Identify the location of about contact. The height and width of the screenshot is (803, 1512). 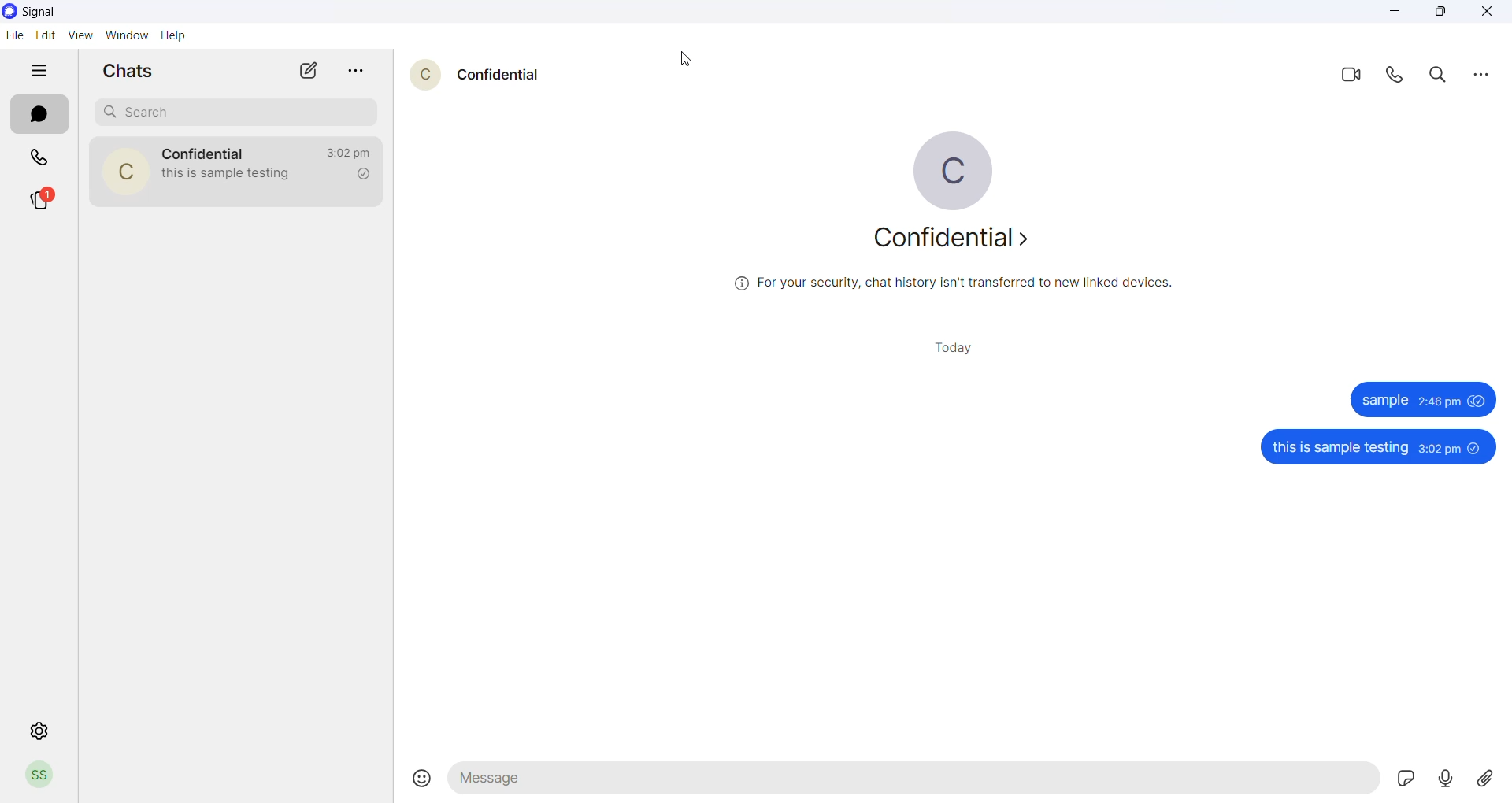
(957, 242).